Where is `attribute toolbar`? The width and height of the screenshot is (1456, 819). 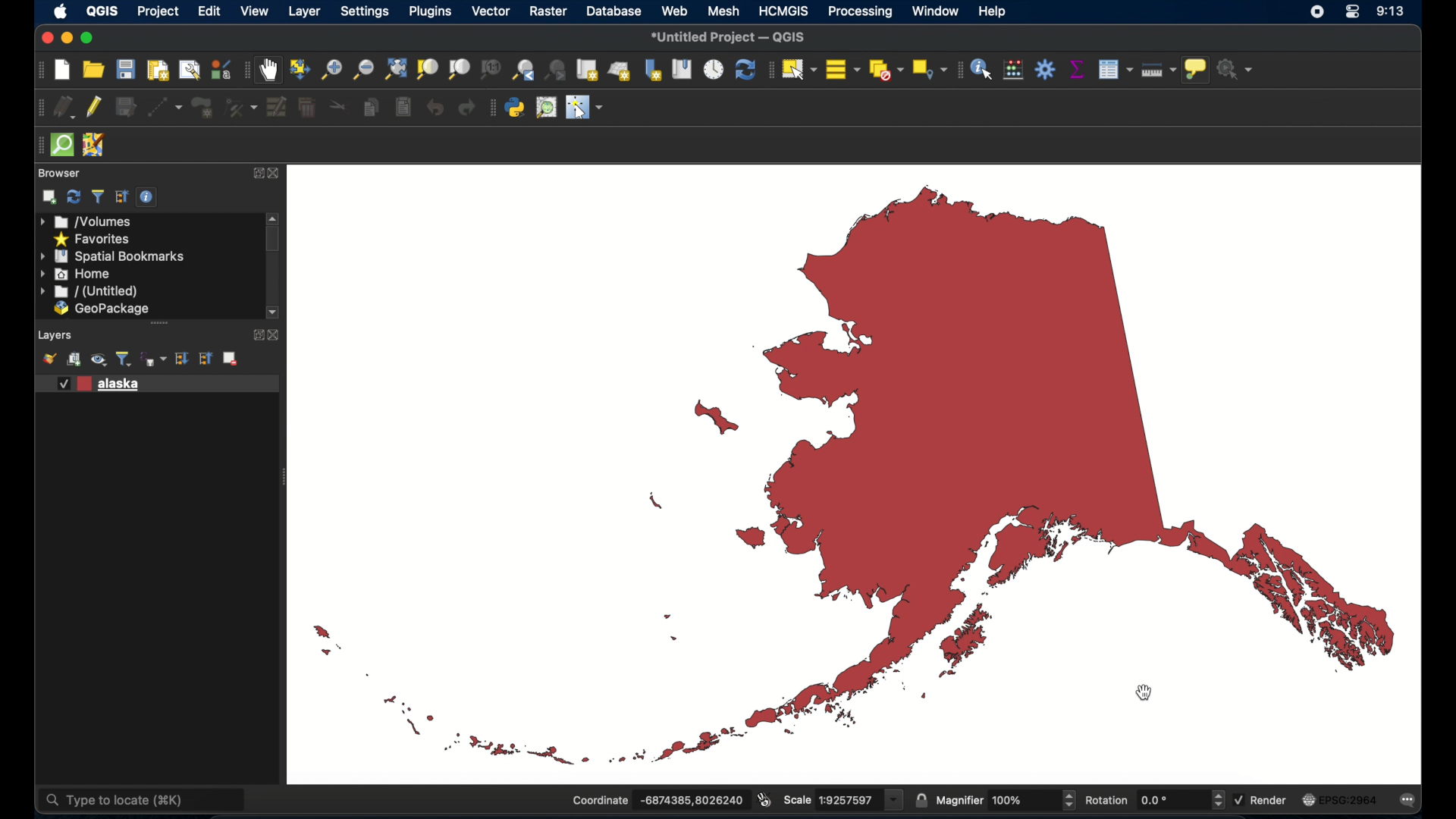
attribute toolbar is located at coordinates (958, 71).